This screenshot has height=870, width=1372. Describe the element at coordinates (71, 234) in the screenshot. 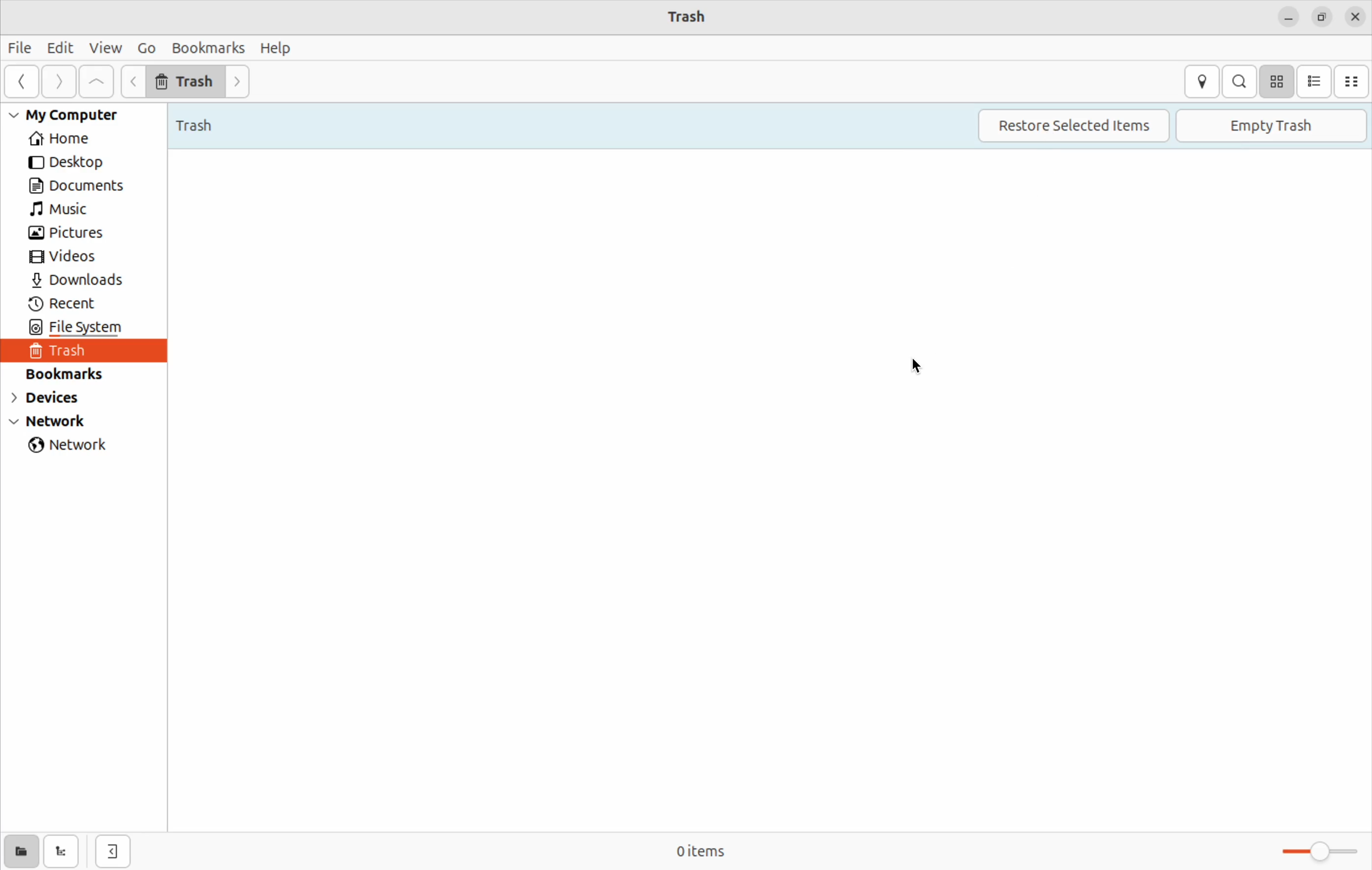

I see `pictures` at that location.